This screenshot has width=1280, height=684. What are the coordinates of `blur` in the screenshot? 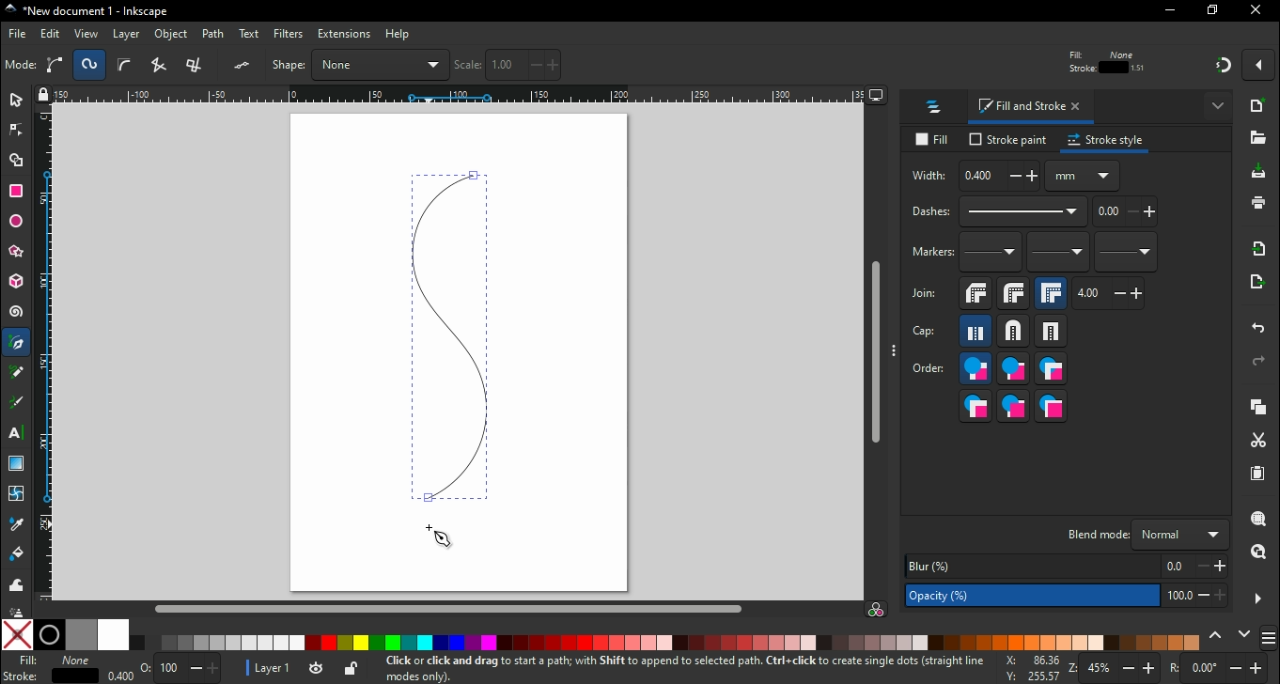 It's located at (1067, 566).